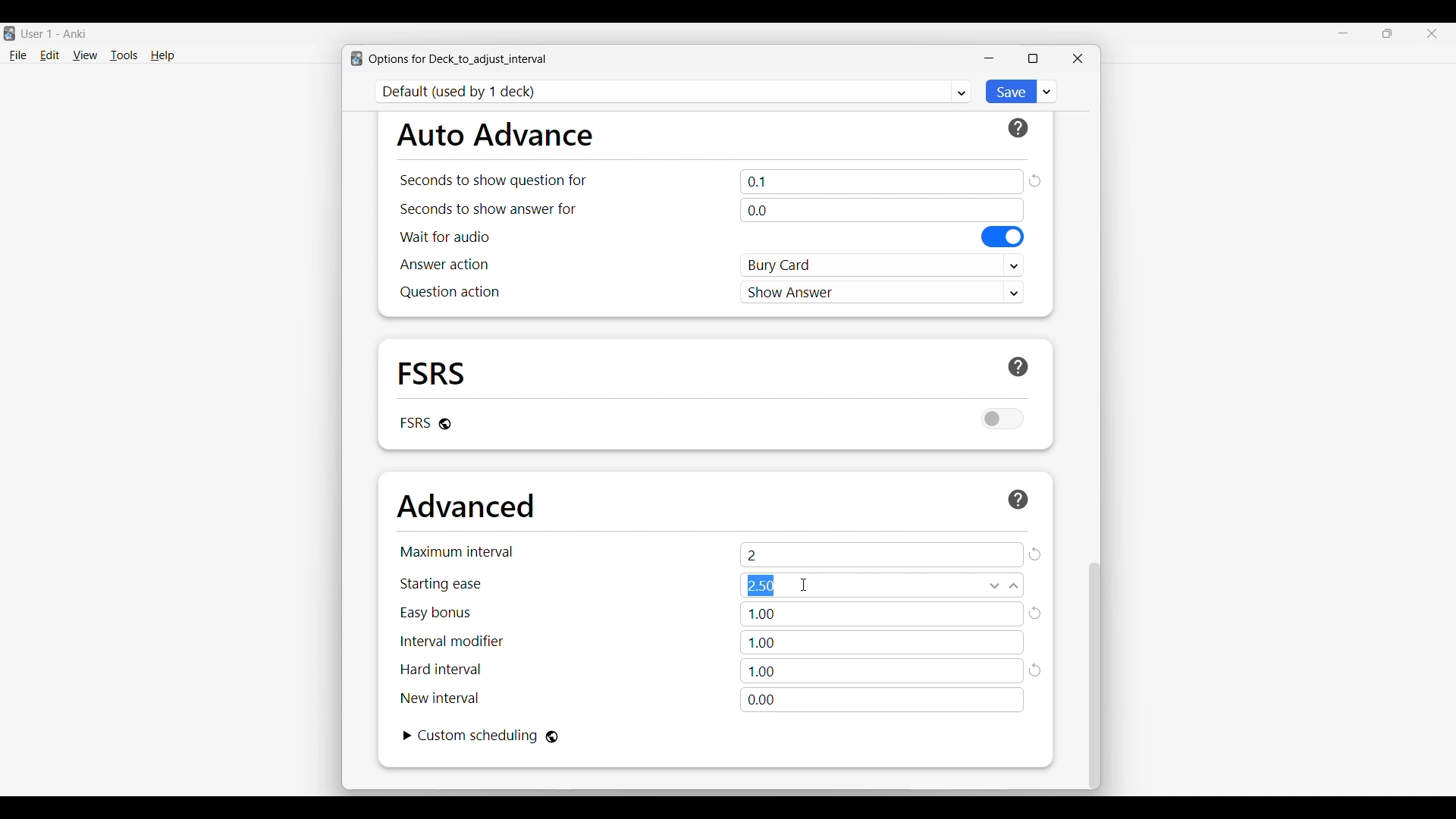  What do you see at coordinates (883, 614) in the screenshot?
I see `1.00` at bounding box center [883, 614].